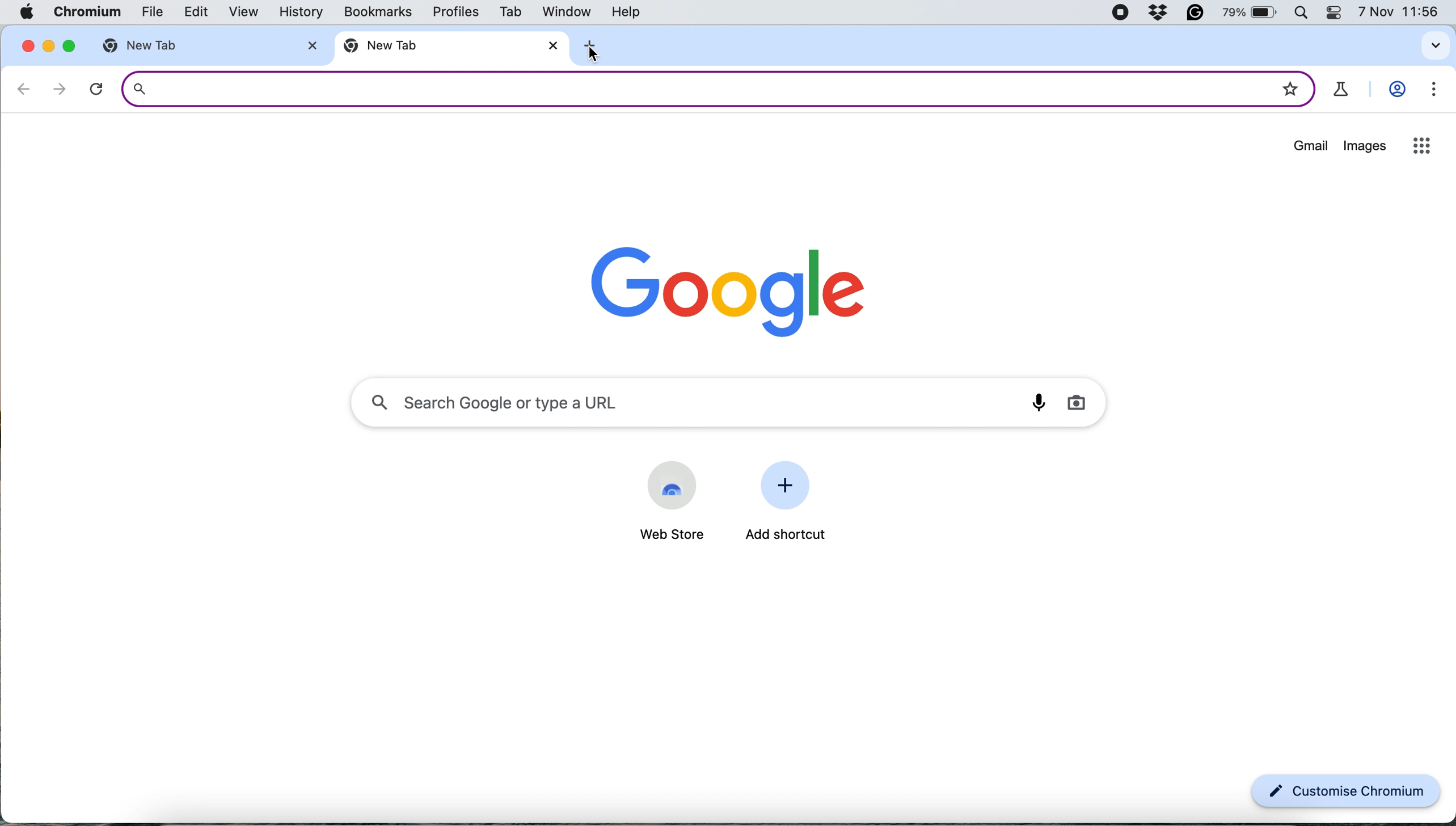 Image resolution: width=1456 pixels, height=826 pixels. Describe the element at coordinates (190, 13) in the screenshot. I see `edit` at that location.